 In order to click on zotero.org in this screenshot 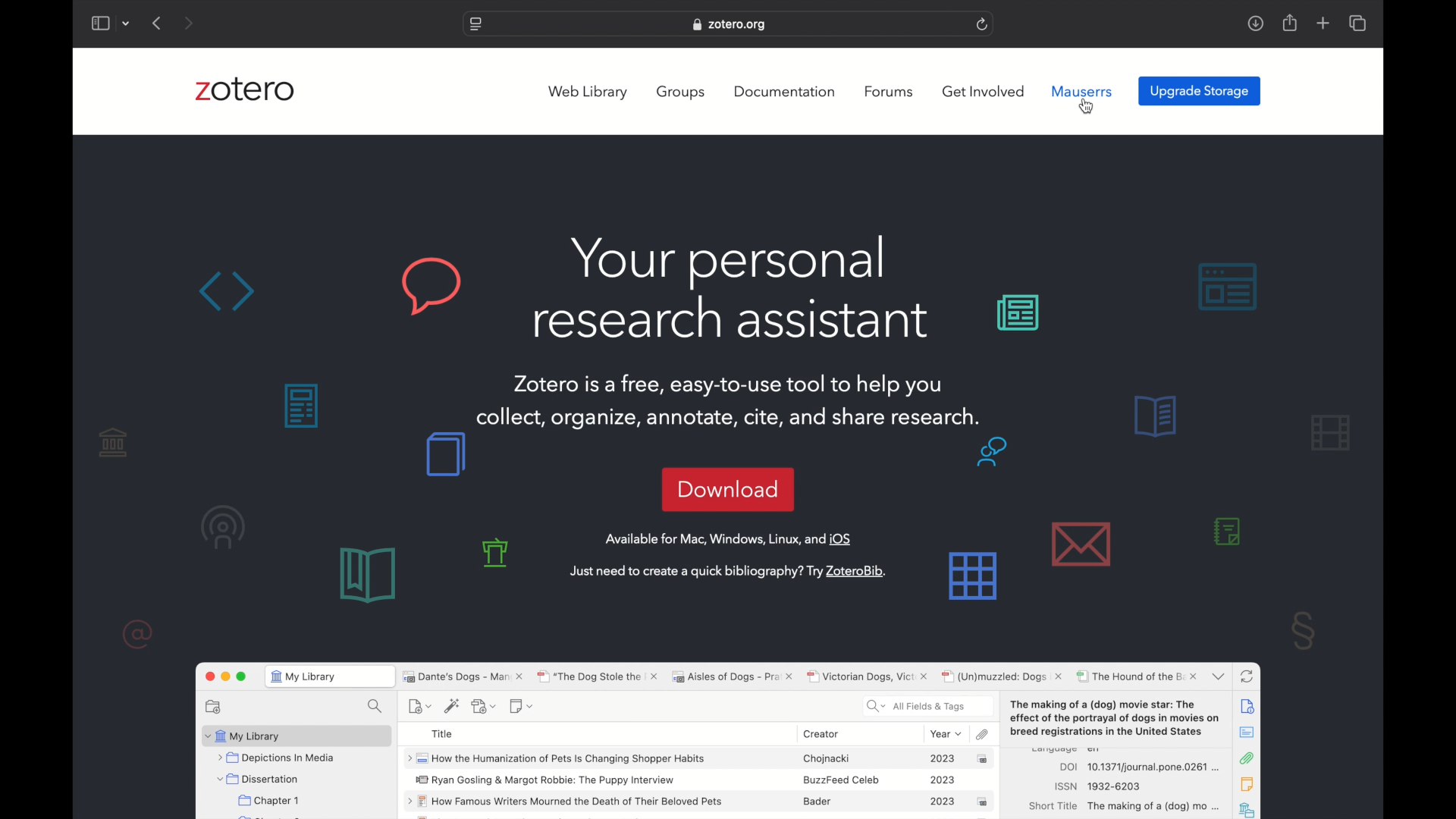, I will do `click(731, 25)`.